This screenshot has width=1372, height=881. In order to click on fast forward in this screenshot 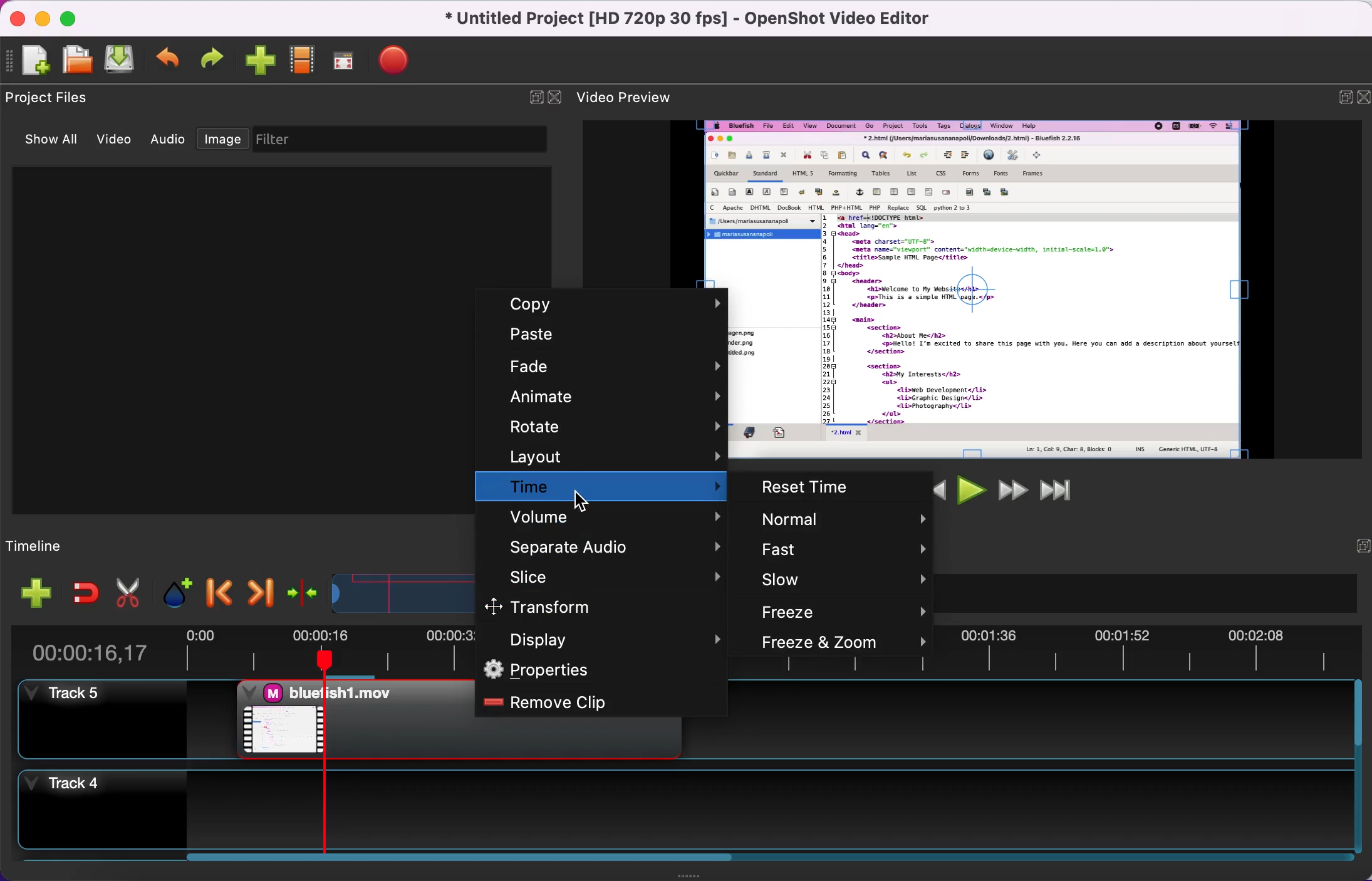, I will do `click(1009, 489)`.